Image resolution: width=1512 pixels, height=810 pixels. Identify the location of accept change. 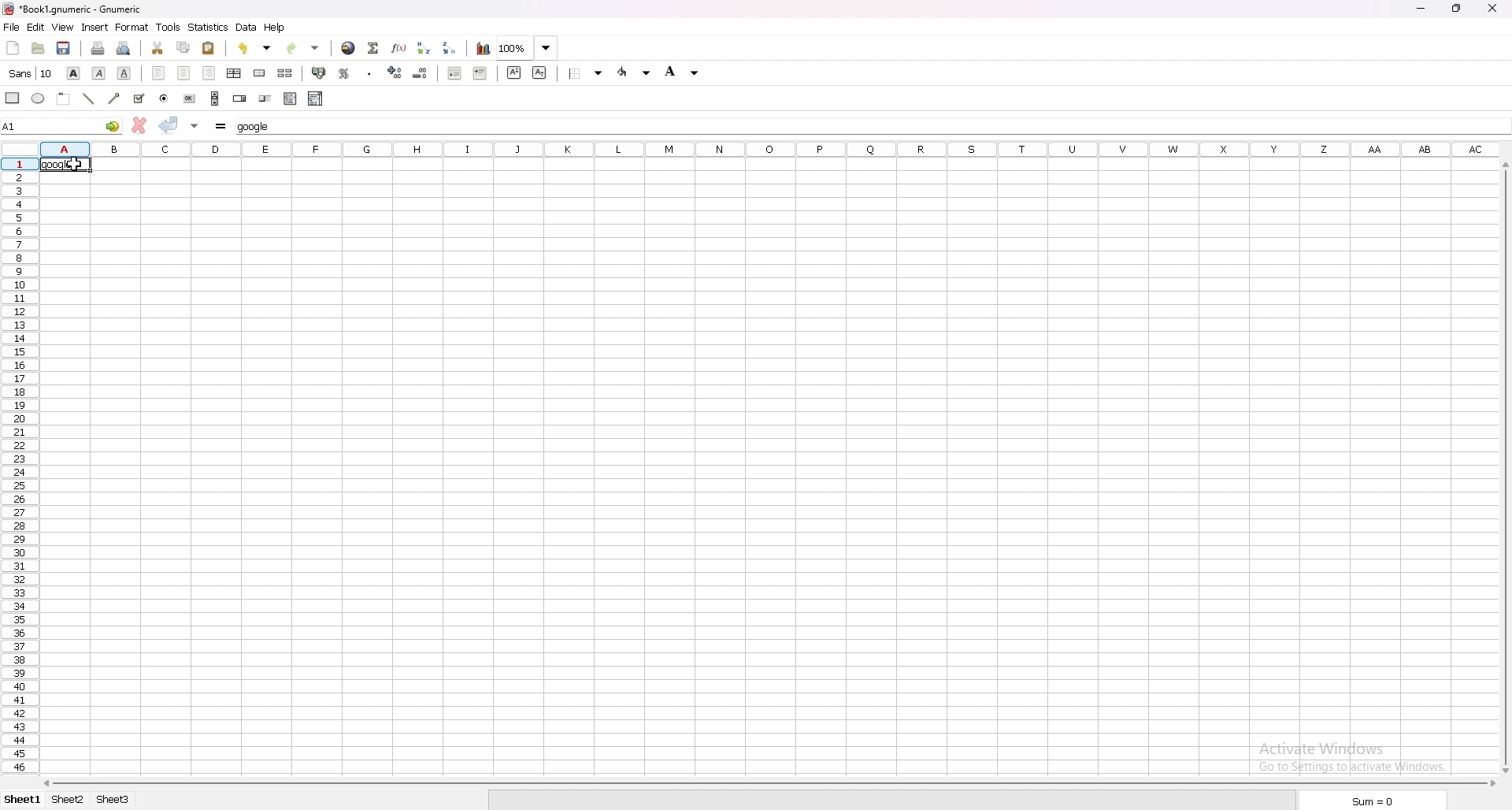
(169, 124).